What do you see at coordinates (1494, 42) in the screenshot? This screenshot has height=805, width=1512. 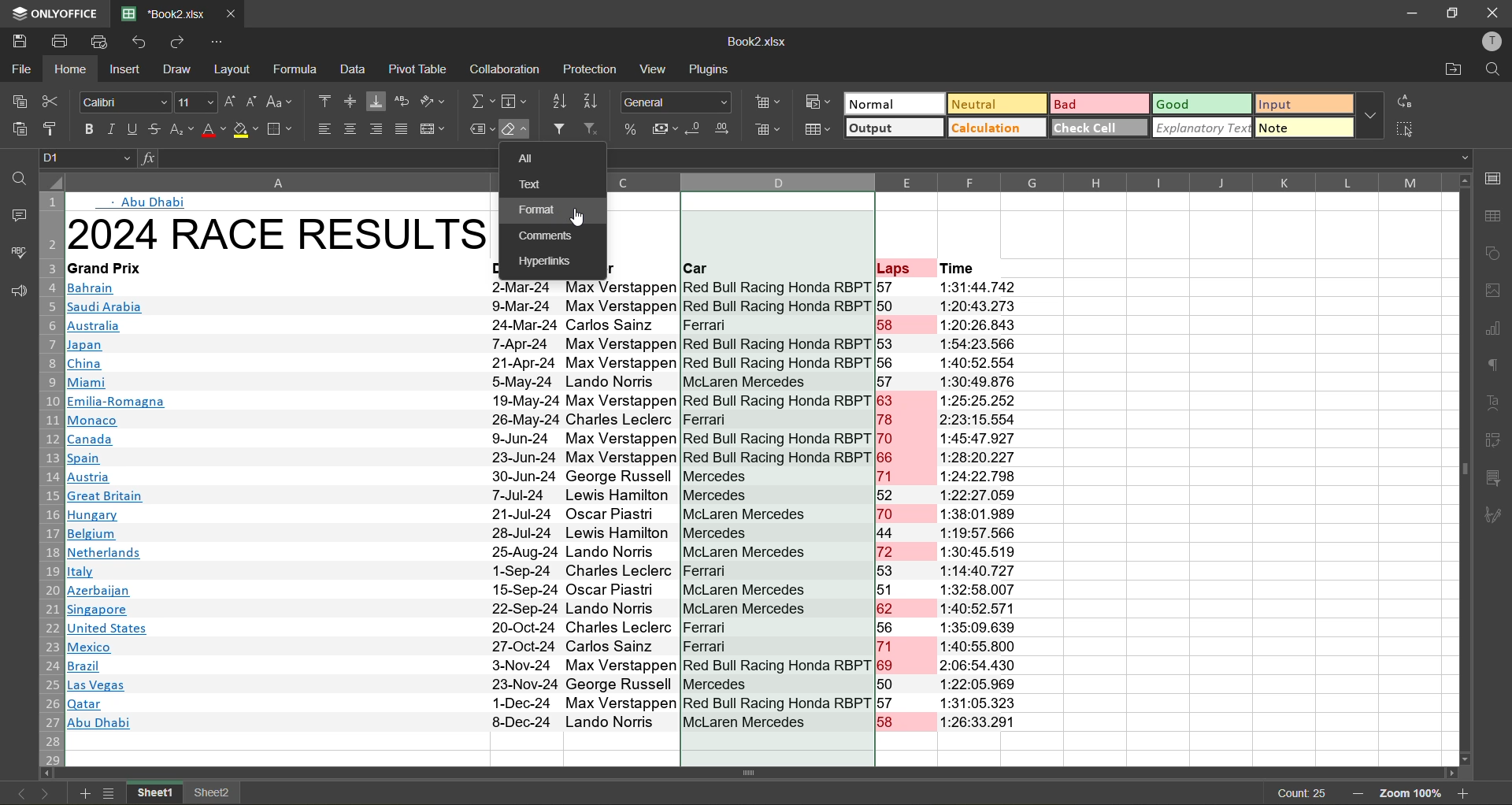 I see `profile` at bounding box center [1494, 42].